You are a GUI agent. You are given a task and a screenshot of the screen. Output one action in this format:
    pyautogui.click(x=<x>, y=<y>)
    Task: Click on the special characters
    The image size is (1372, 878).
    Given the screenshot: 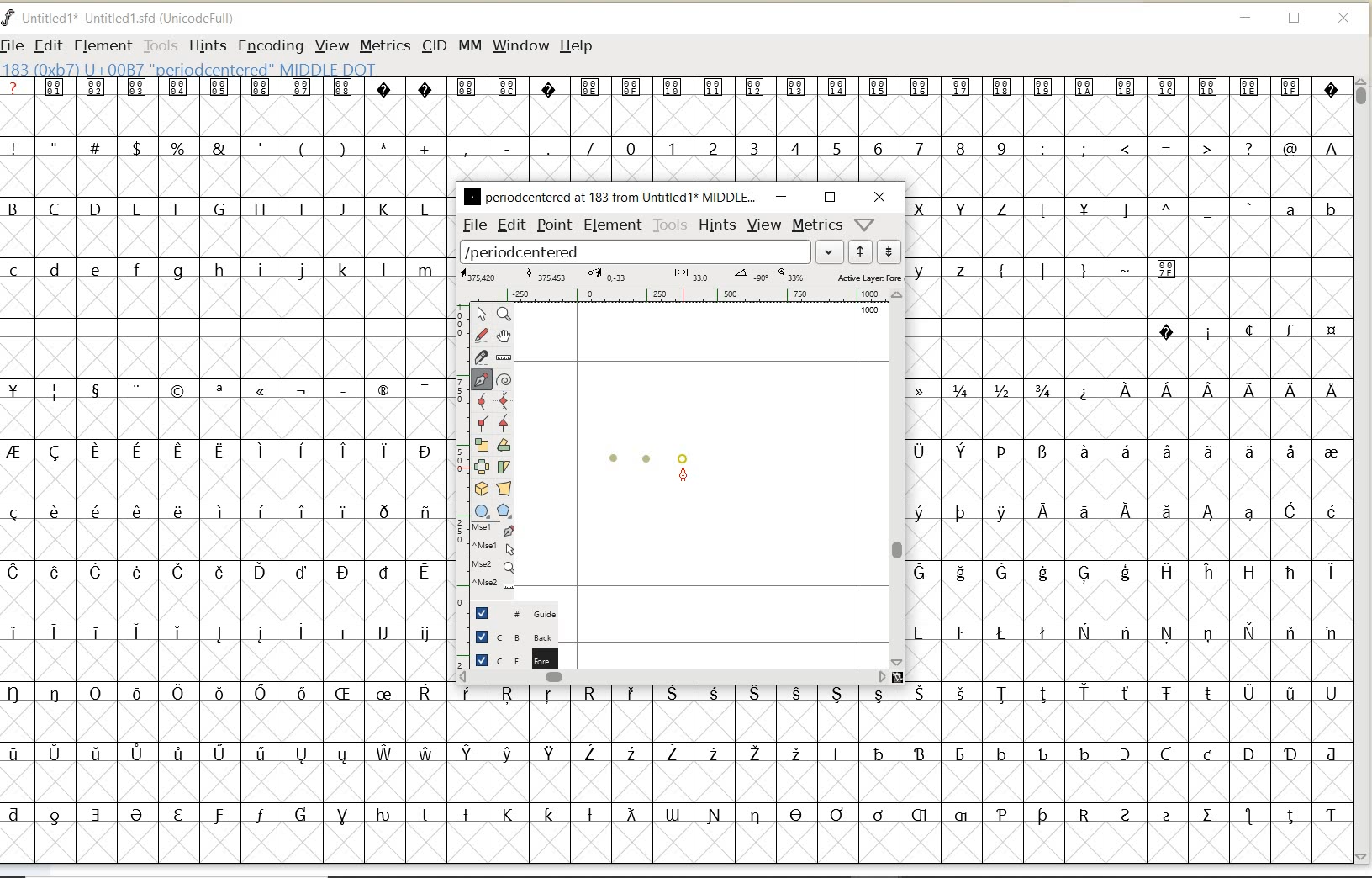 What is the action you would take?
    pyautogui.click(x=673, y=98)
    